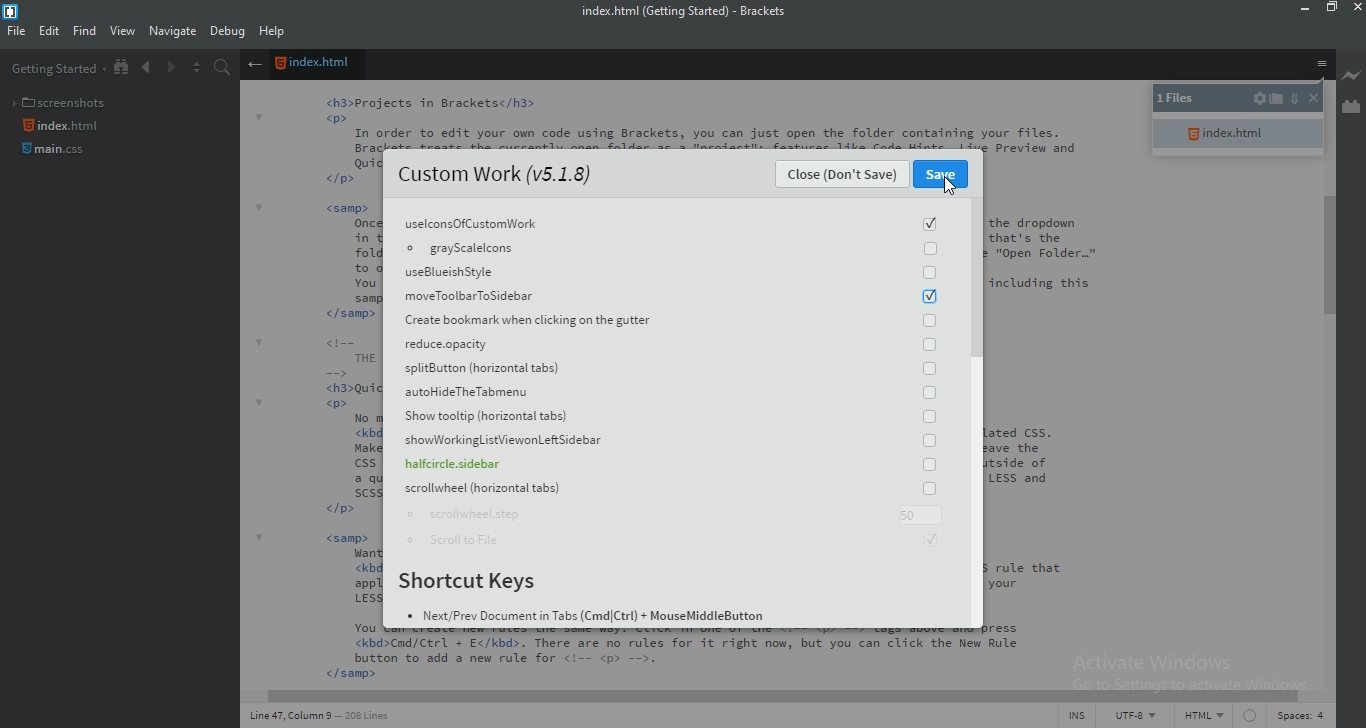 Image resolution: width=1366 pixels, height=728 pixels. I want to click on Screenshots, so click(63, 100).